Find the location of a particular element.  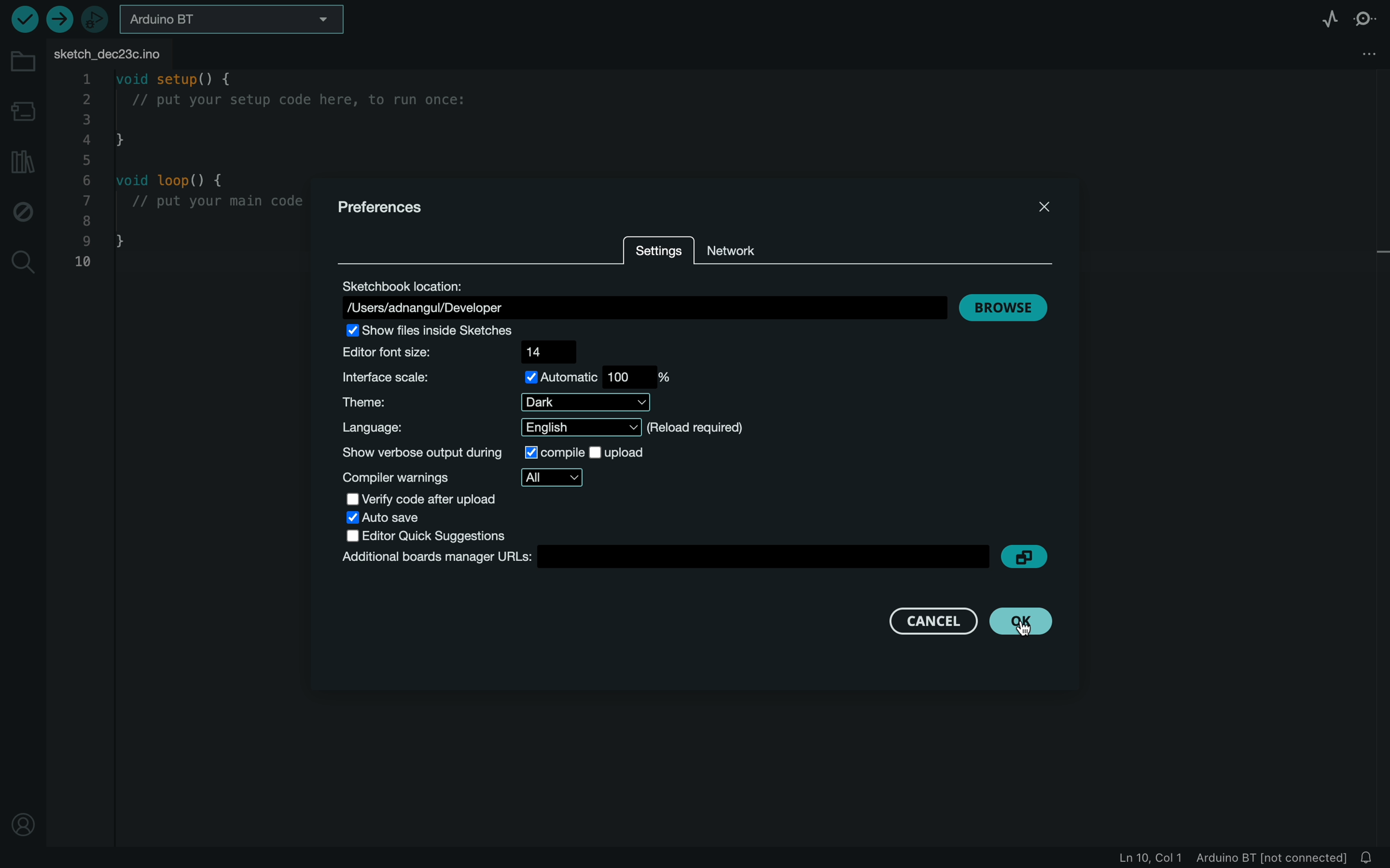

code is located at coordinates (187, 175).